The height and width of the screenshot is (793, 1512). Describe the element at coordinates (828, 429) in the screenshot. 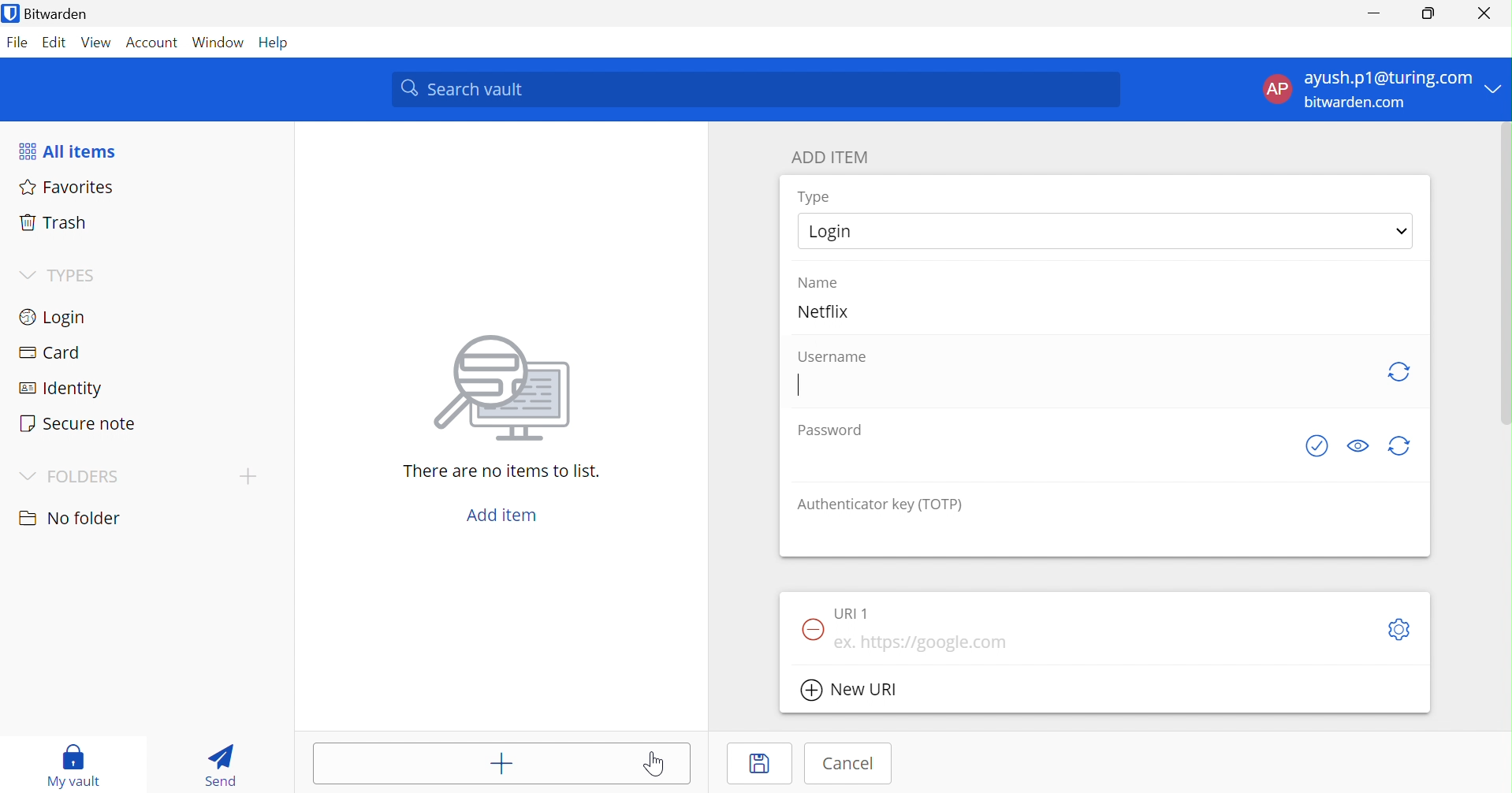

I see `Password` at that location.